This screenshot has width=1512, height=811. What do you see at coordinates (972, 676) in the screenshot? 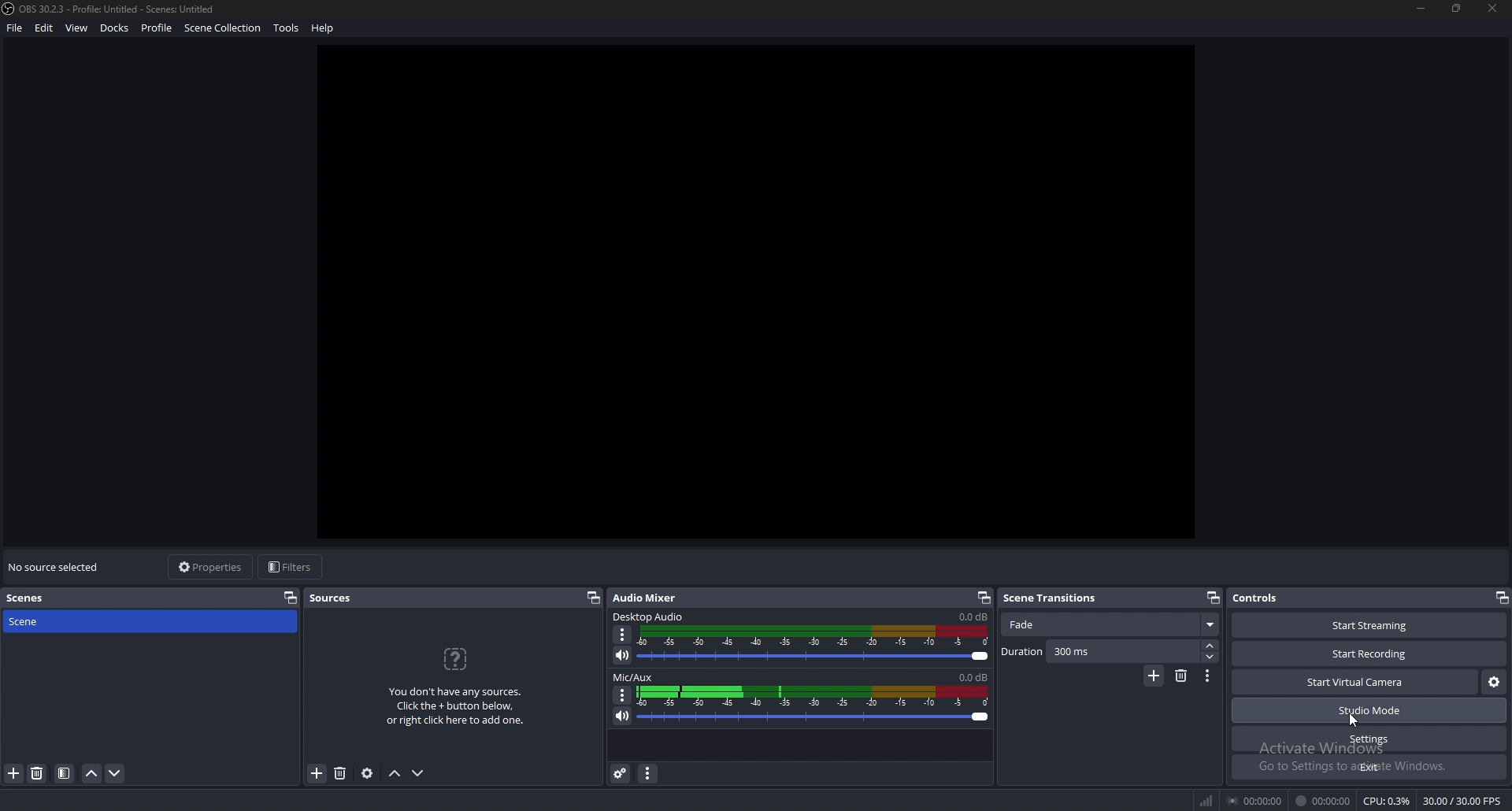
I see `mic/aux sound` at bounding box center [972, 676].